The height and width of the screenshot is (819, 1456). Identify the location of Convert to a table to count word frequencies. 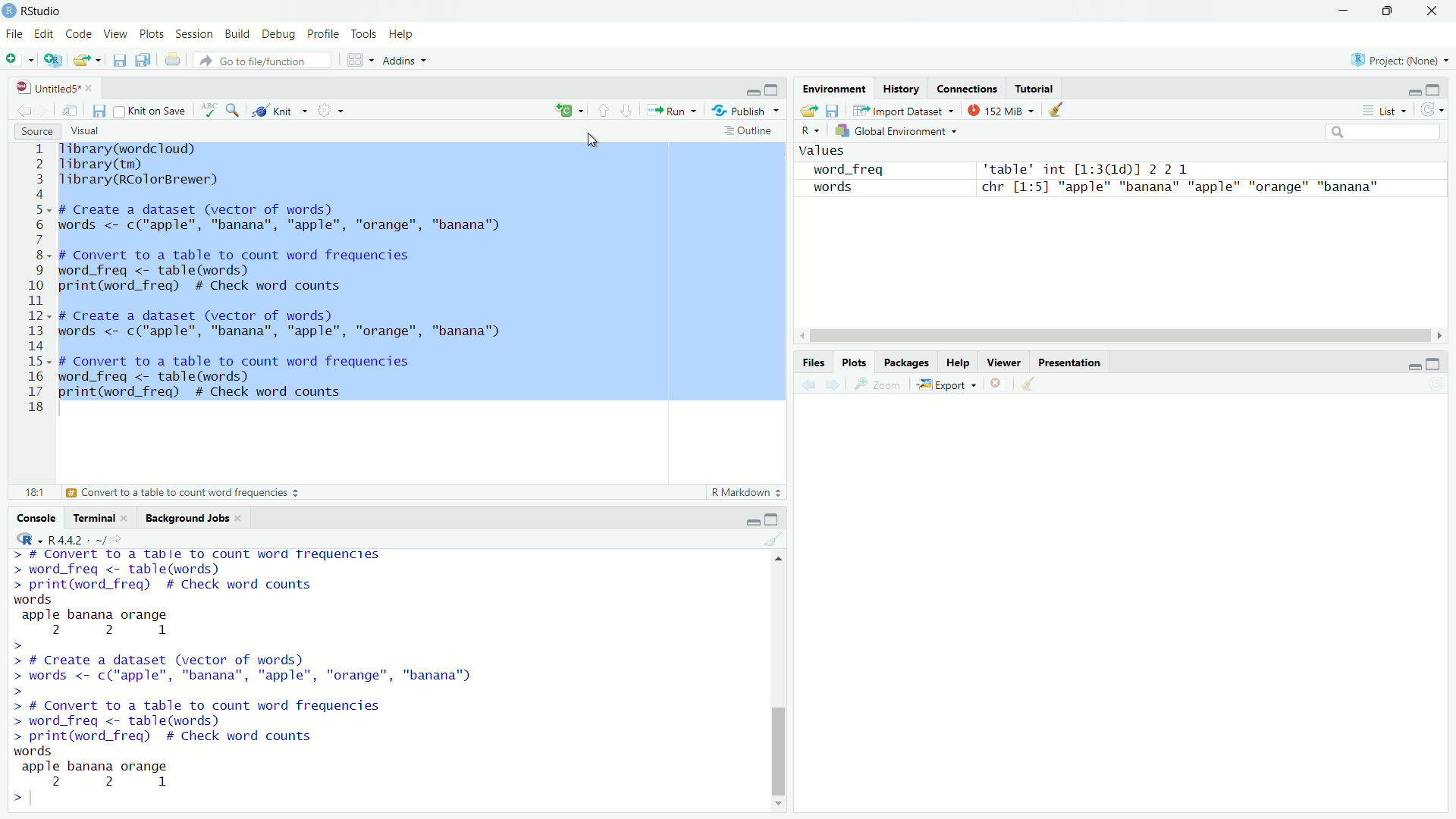
(184, 491).